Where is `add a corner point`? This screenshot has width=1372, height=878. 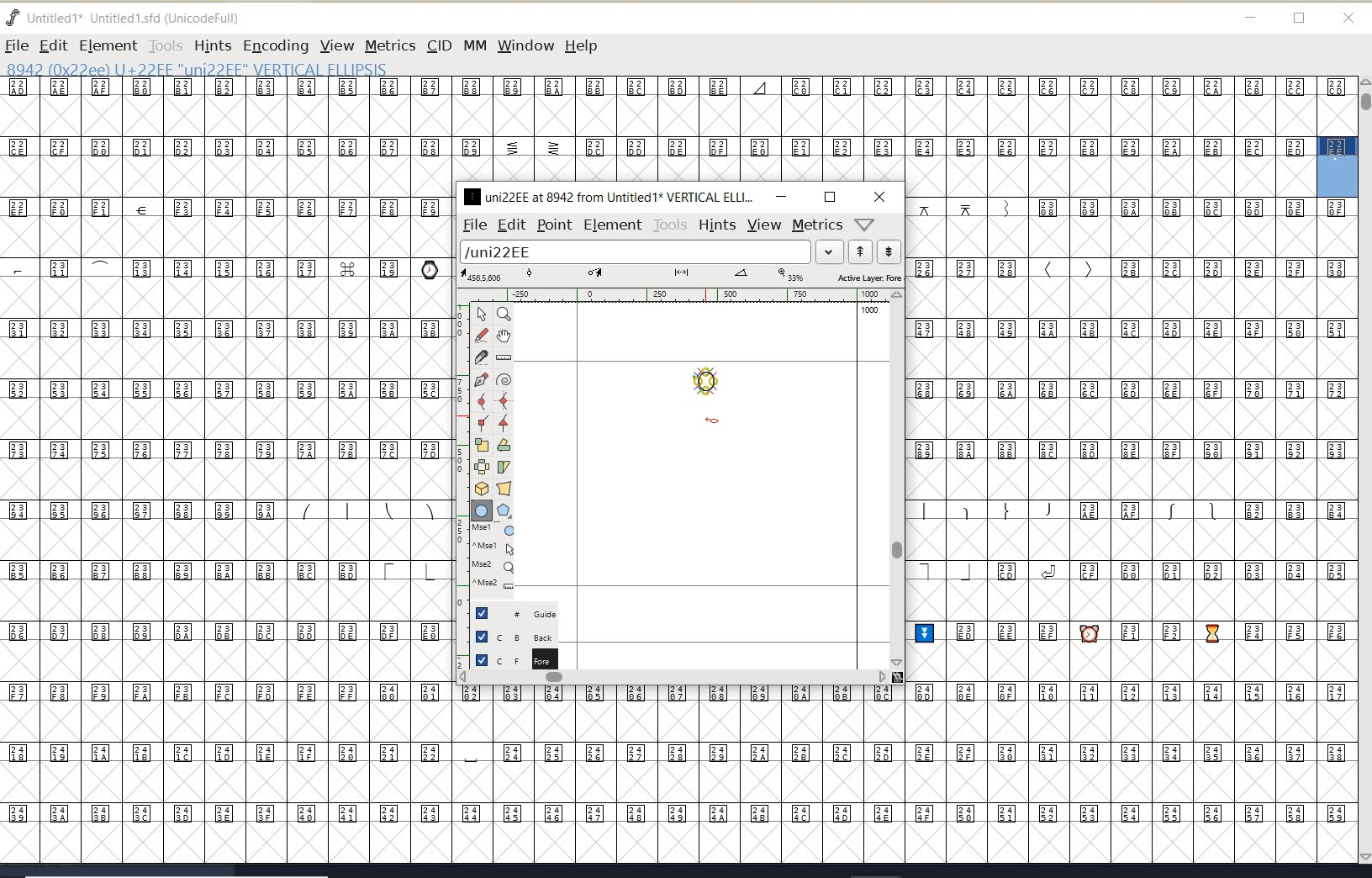
add a corner point is located at coordinates (483, 422).